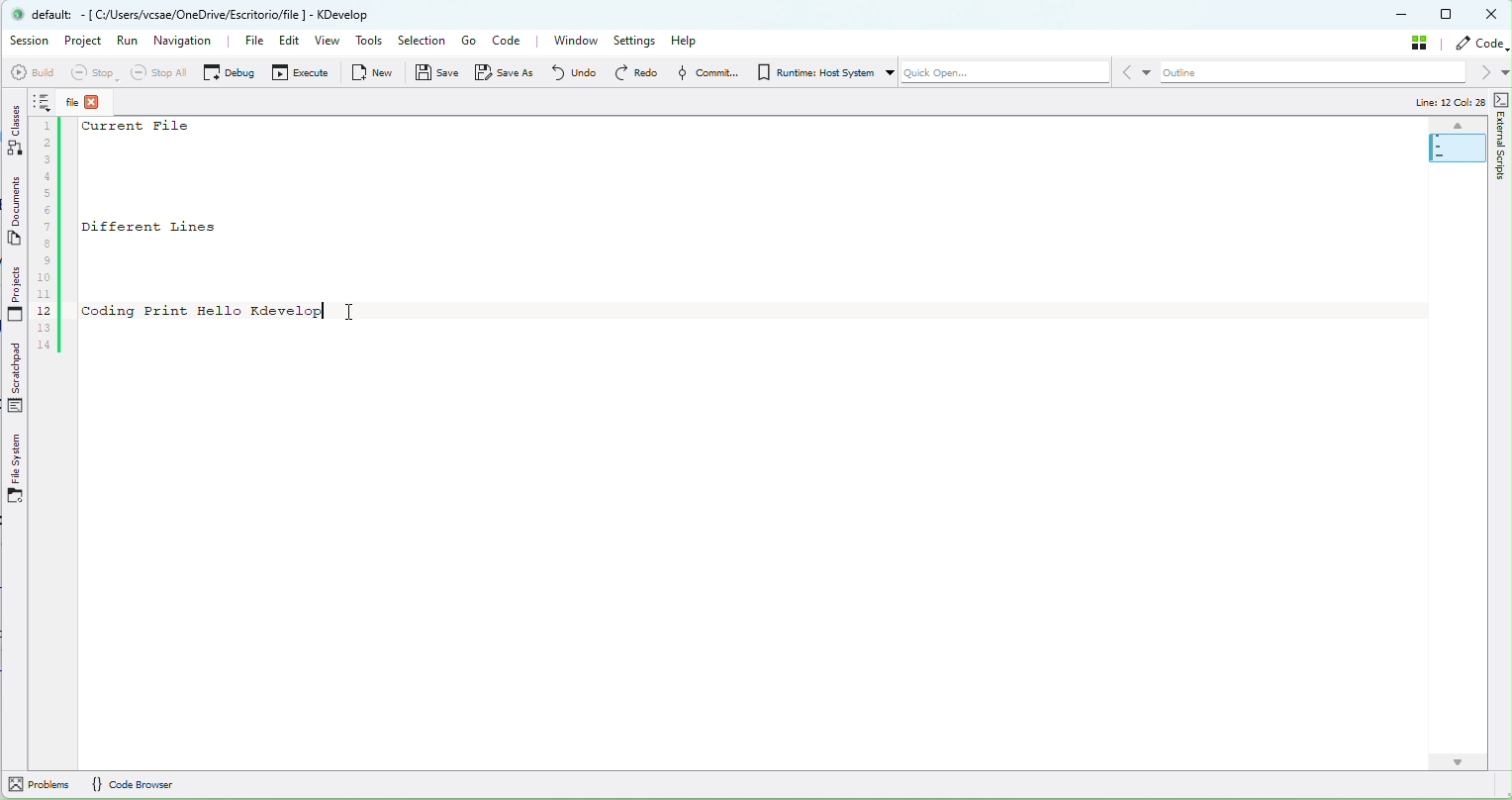 The height and width of the screenshot is (800, 1512). Describe the element at coordinates (243, 42) in the screenshot. I see `File` at that location.